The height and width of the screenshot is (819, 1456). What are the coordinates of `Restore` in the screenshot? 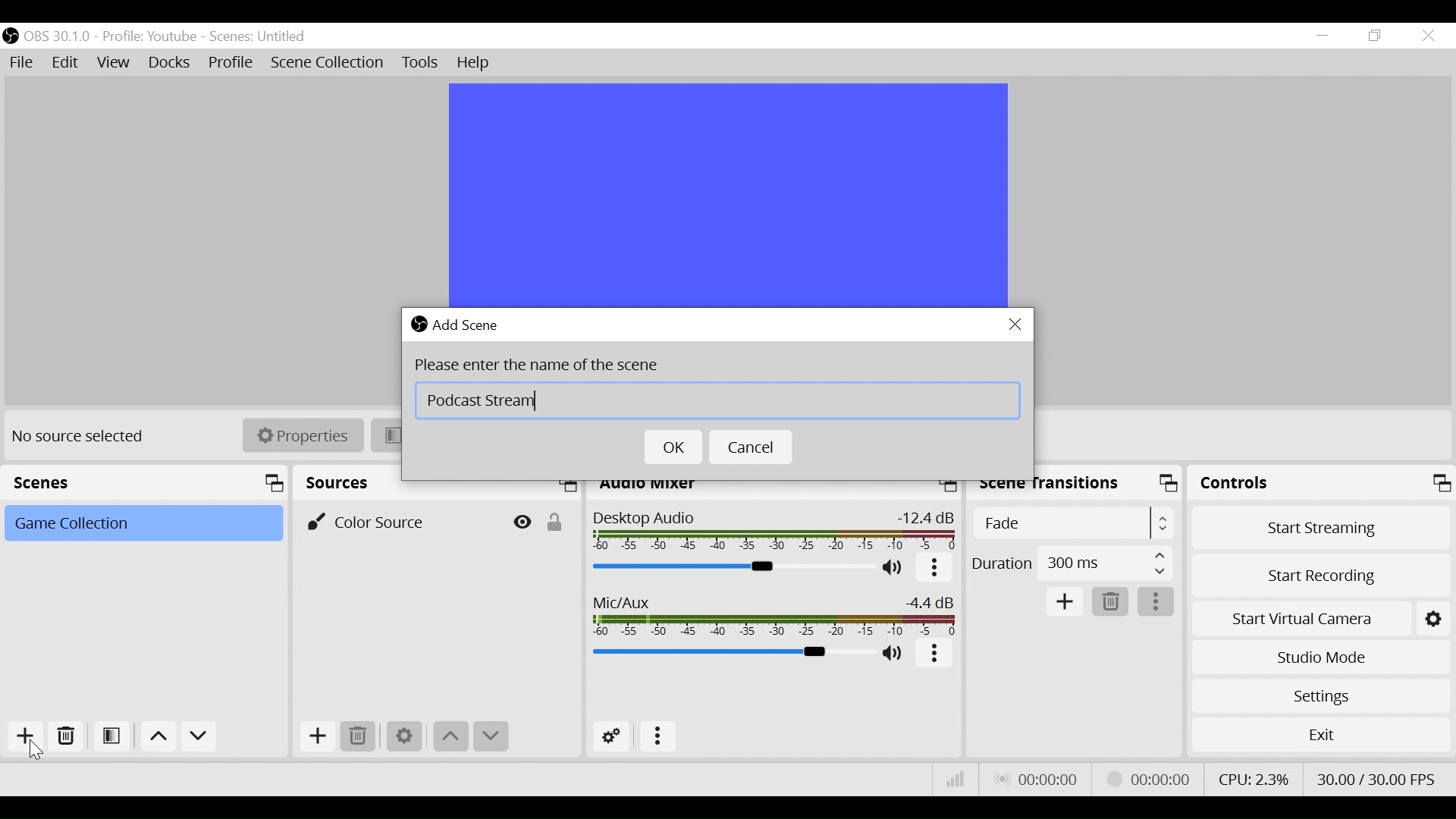 It's located at (1373, 36).